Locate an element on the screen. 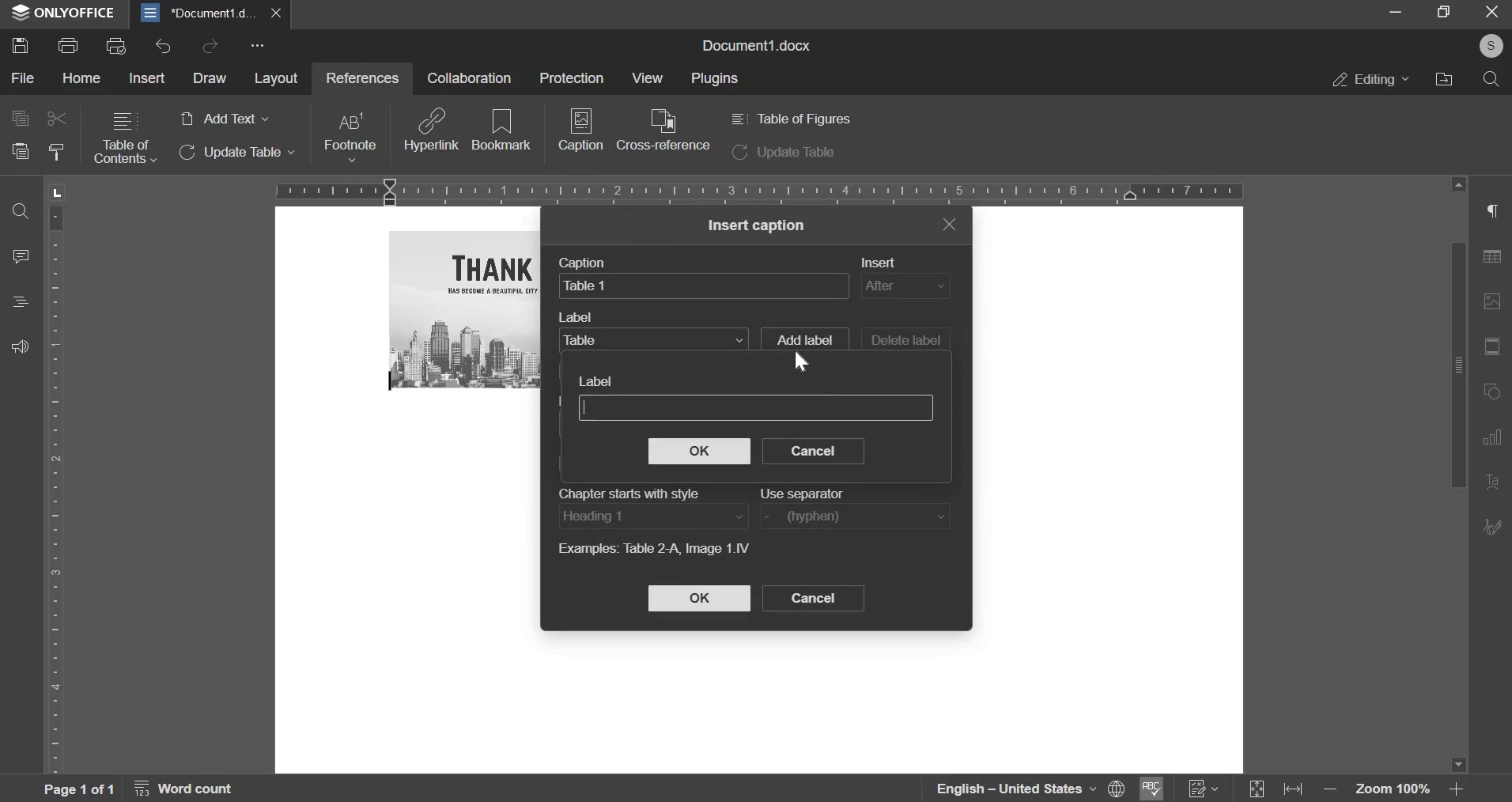 Image resolution: width=1512 pixels, height=802 pixels. redo is located at coordinates (210, 45).